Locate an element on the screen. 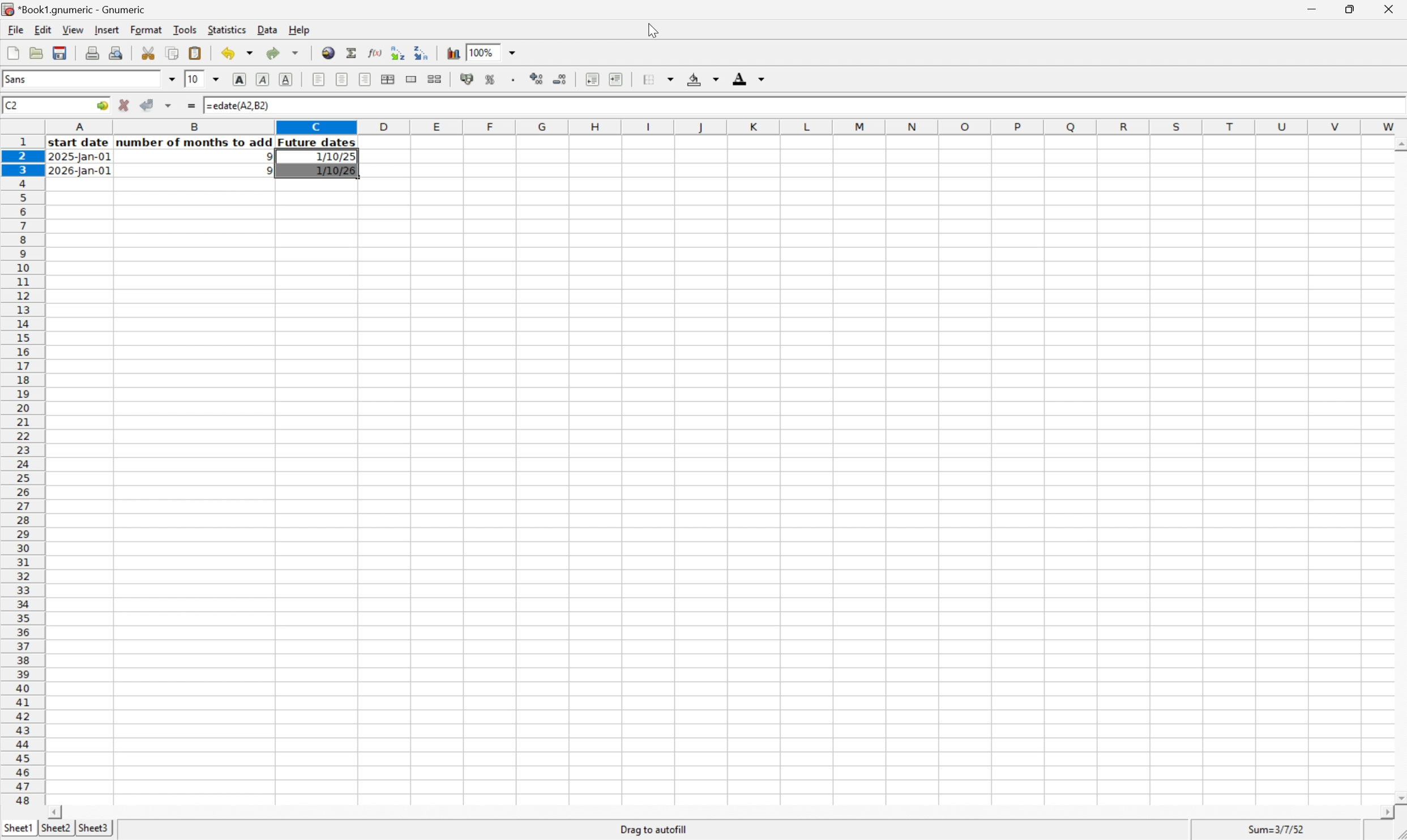 The height and width of the screenshot is (840, 1407). Split the ranges of merged cells is located at coordinates (434, 78).